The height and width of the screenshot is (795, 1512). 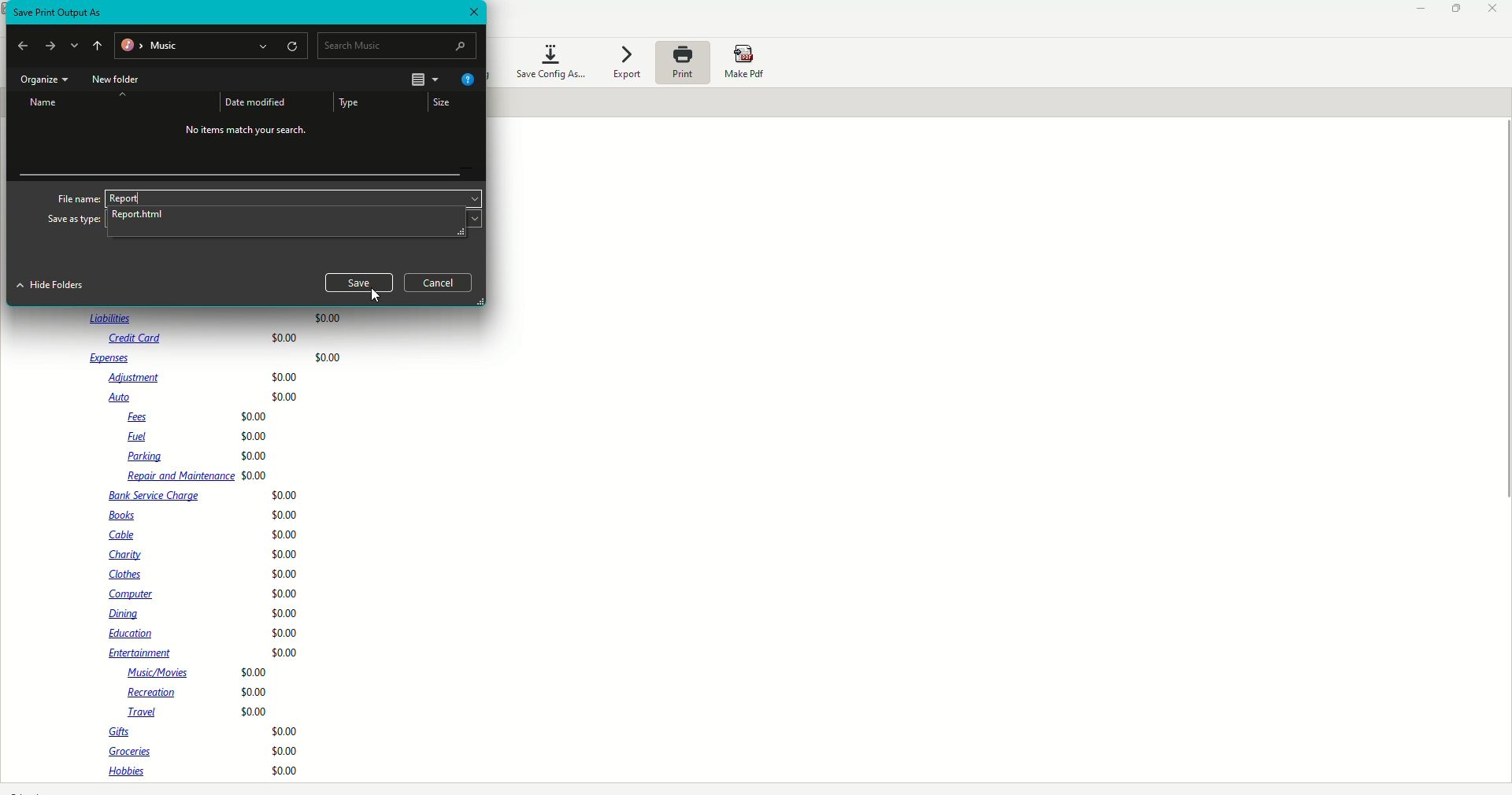 What do you see at coordinates (122, 94) in the screenshot?
I see `Move up` at bounding box center [122, 94].